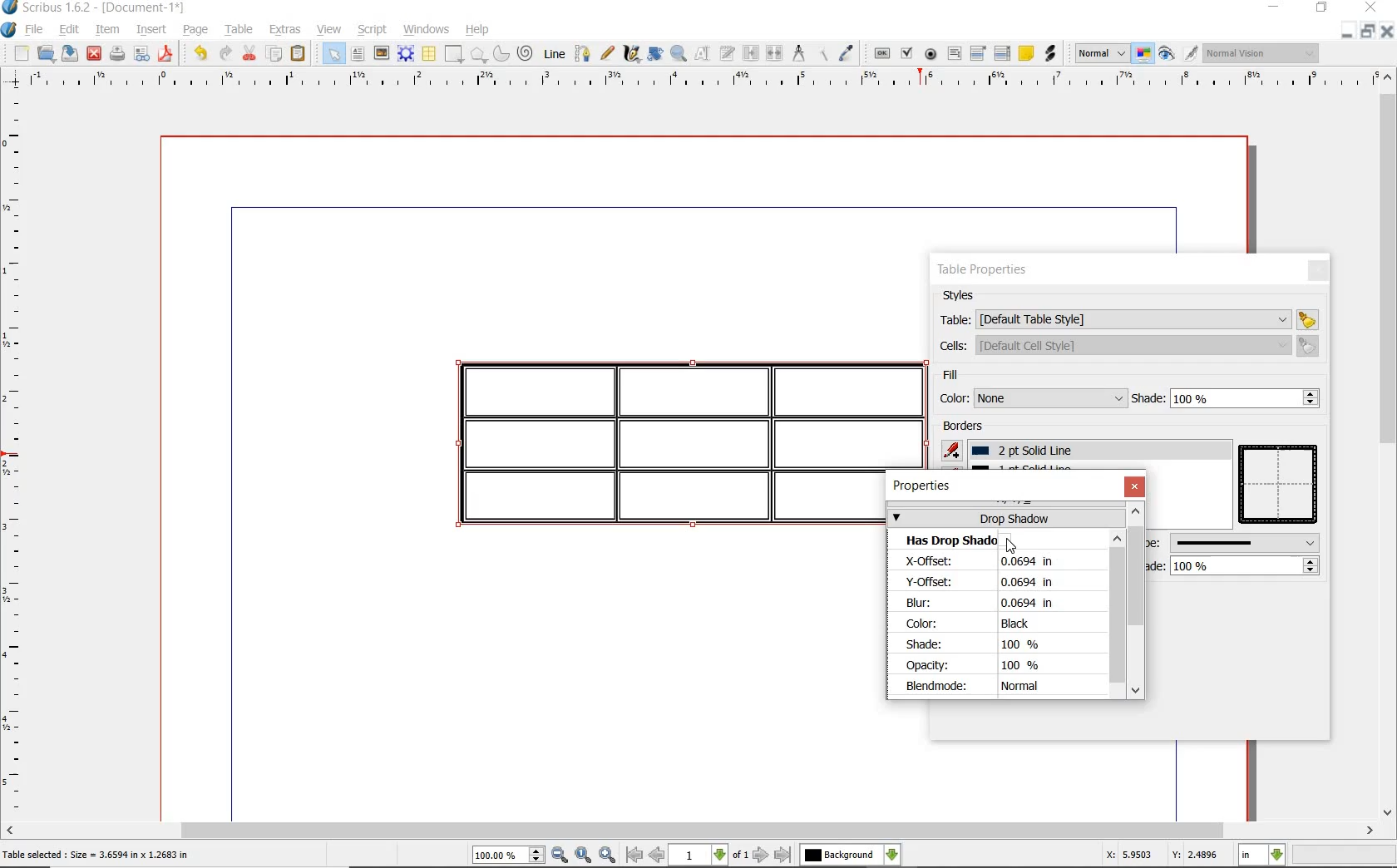 The height and width of the screenshot is (868, 1397). What do you see at coordinates (239, 30) in the screenshot?
I see `table` at bounding box center [239, 30].